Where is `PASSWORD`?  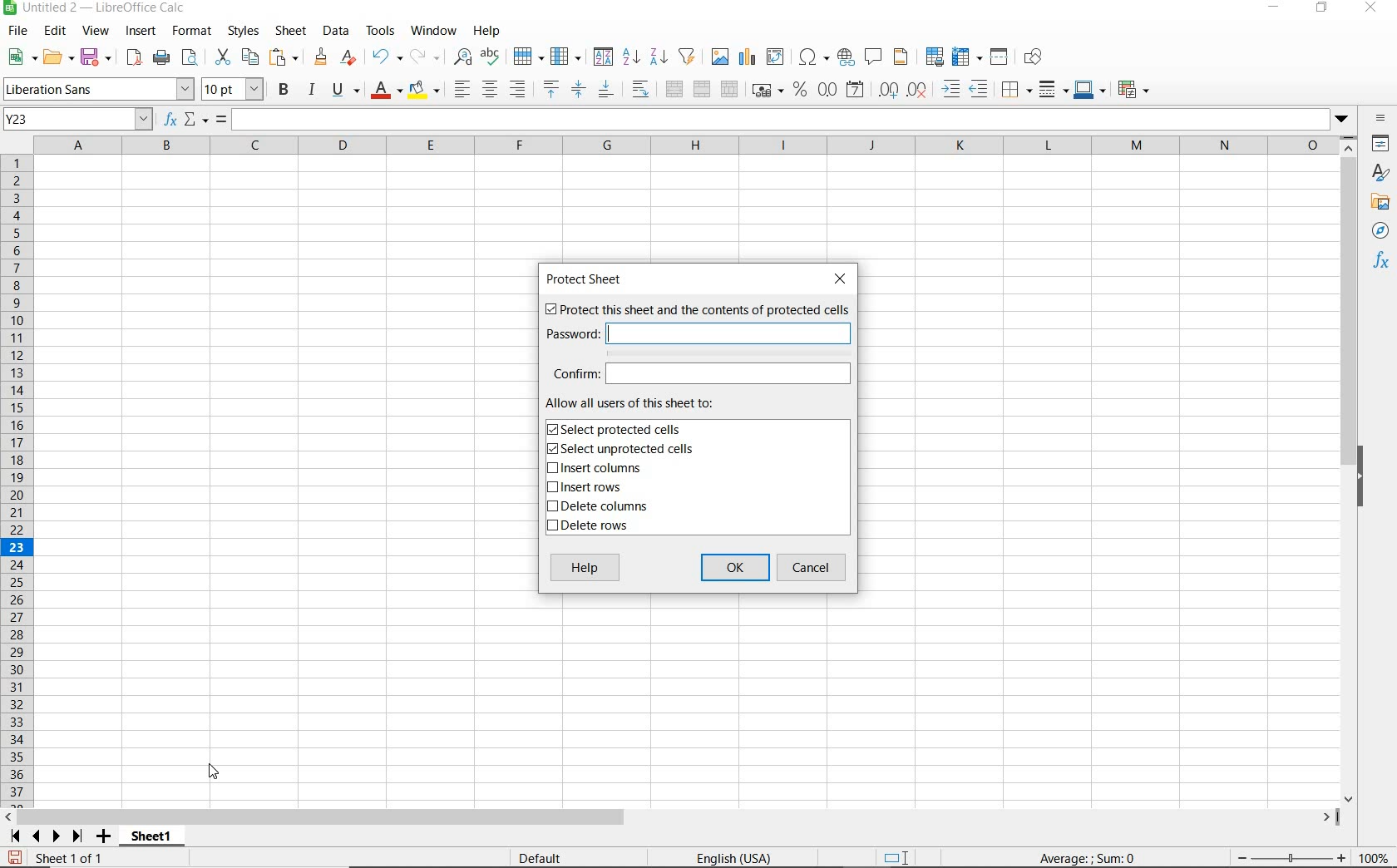 PASSWORD is located at coordinates (696, 333).